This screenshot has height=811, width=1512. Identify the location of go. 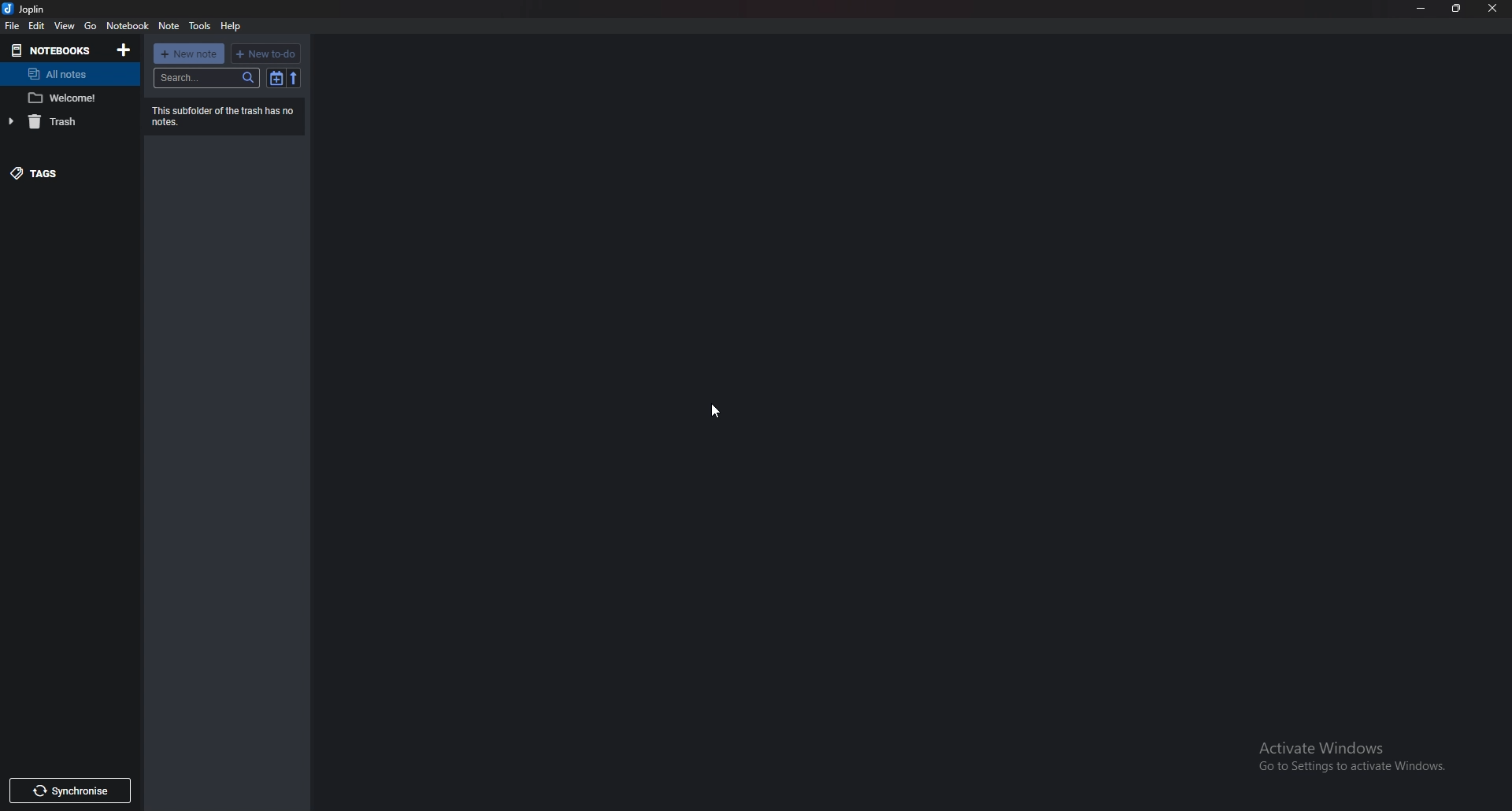
(91, 27).